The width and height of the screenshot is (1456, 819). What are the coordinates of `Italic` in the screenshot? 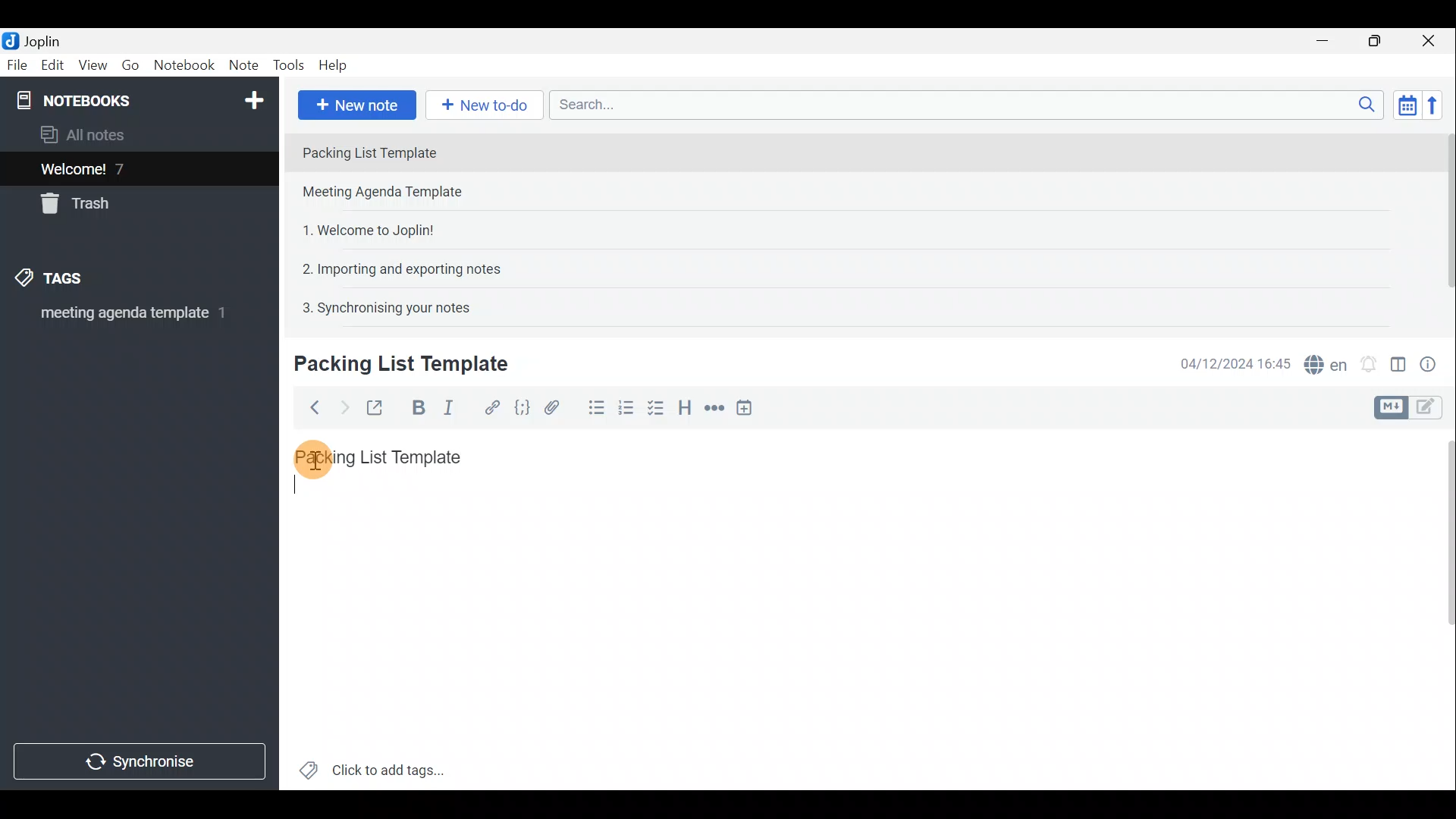 It's located at (454, 407).